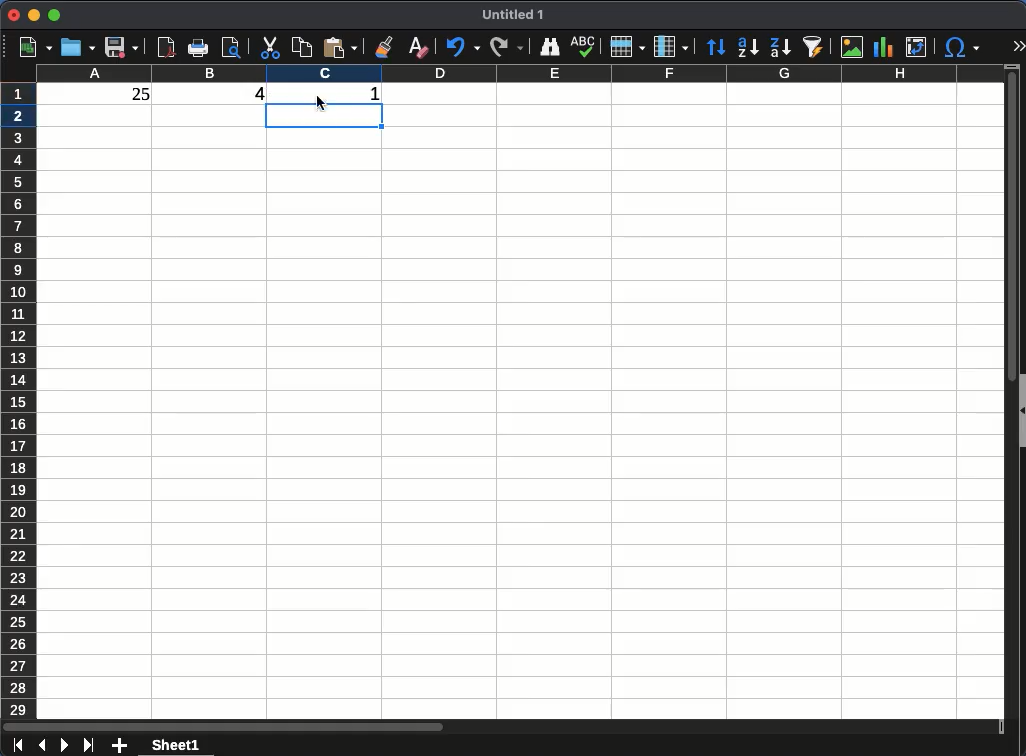 The height and width of the screenshot is (756, 1026). Describe the element at coordinates (120, 49) in the screenshot. I see `save` at that location.